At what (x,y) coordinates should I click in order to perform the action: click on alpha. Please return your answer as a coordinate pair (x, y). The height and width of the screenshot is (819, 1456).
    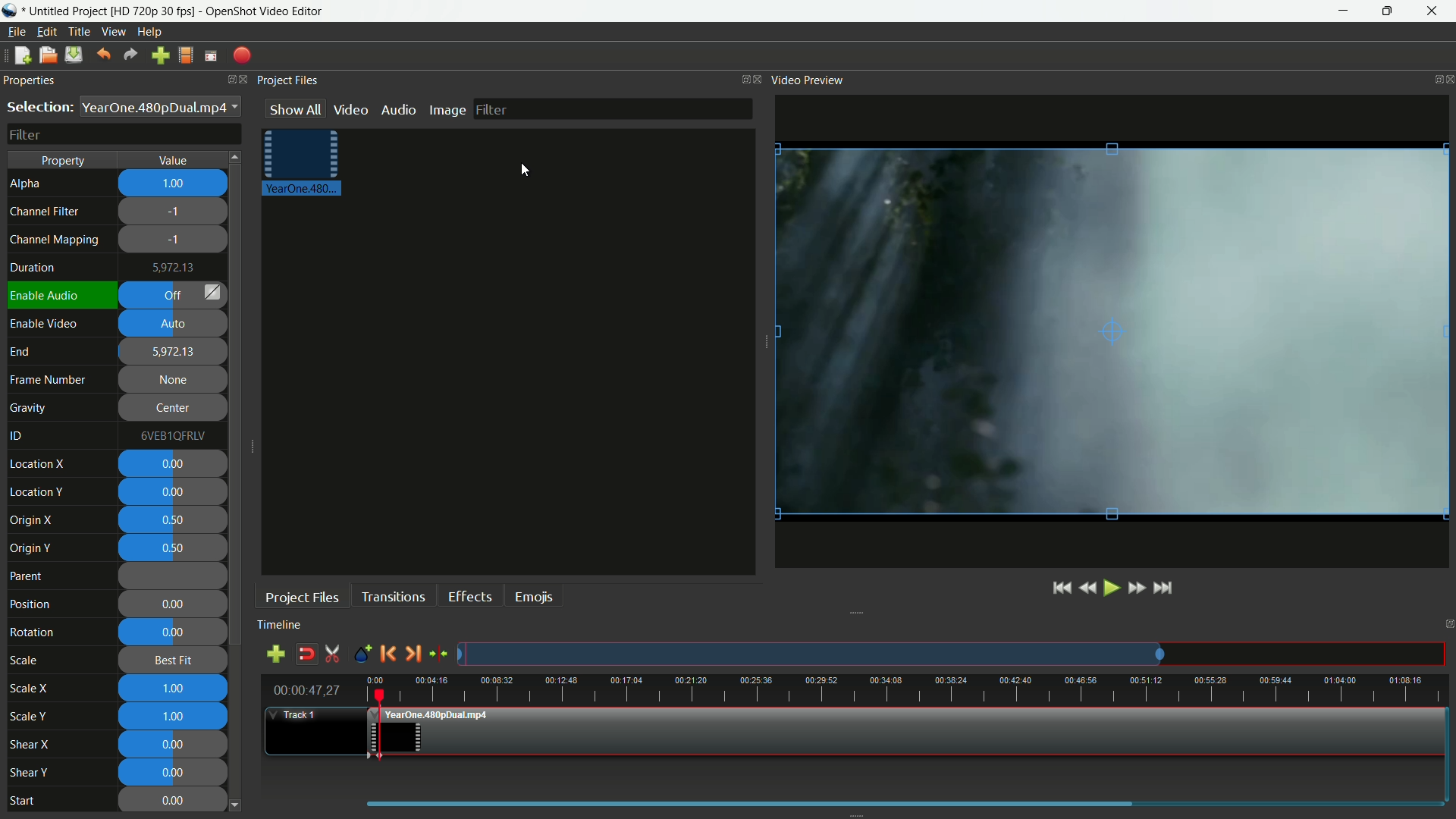
    Looking at the image, I should click on (28, 184).